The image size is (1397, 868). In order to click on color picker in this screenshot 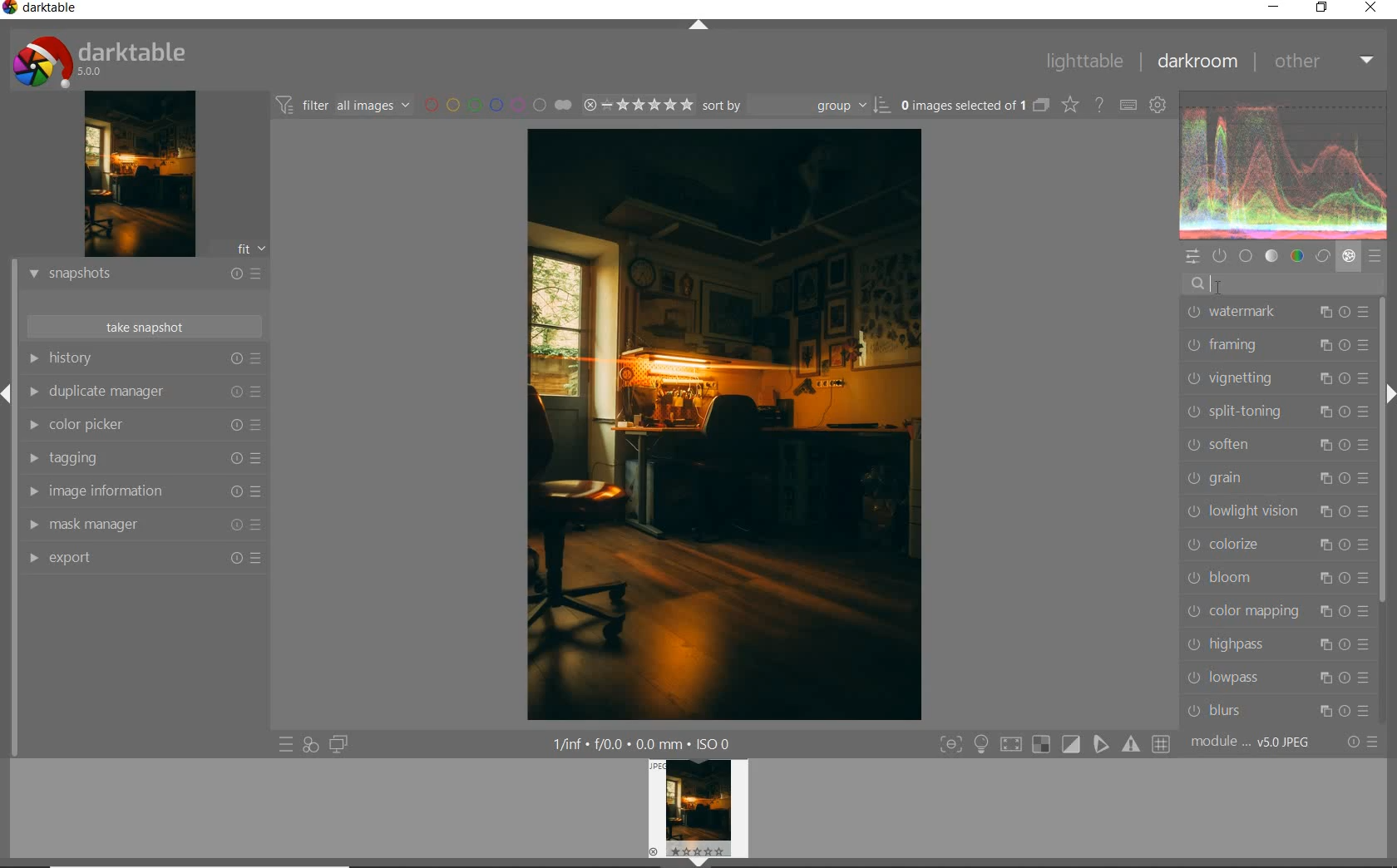, I will do `click(141, 424)`.